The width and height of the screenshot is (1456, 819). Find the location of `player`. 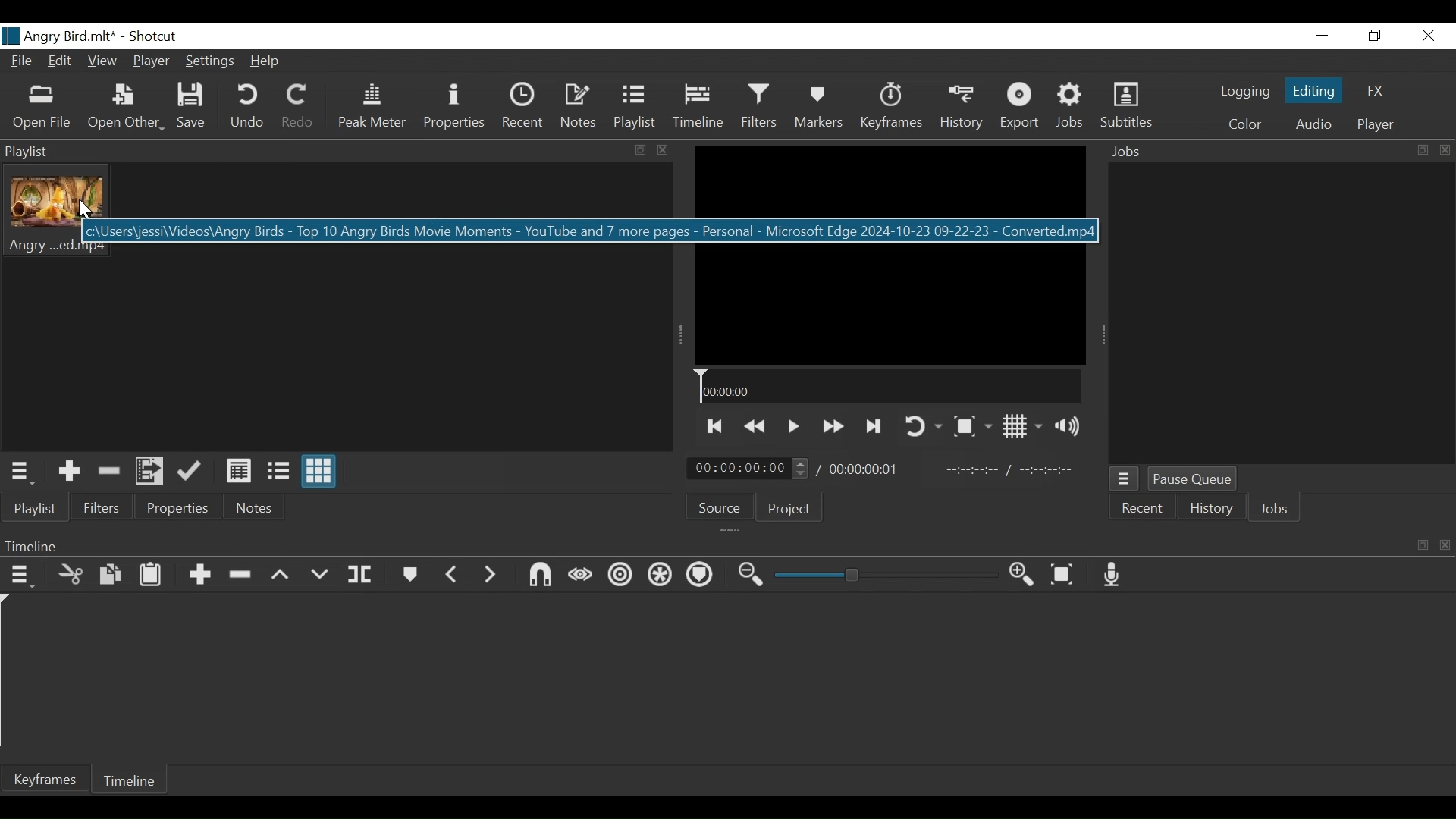

player is located at coordinates (1376, 124).